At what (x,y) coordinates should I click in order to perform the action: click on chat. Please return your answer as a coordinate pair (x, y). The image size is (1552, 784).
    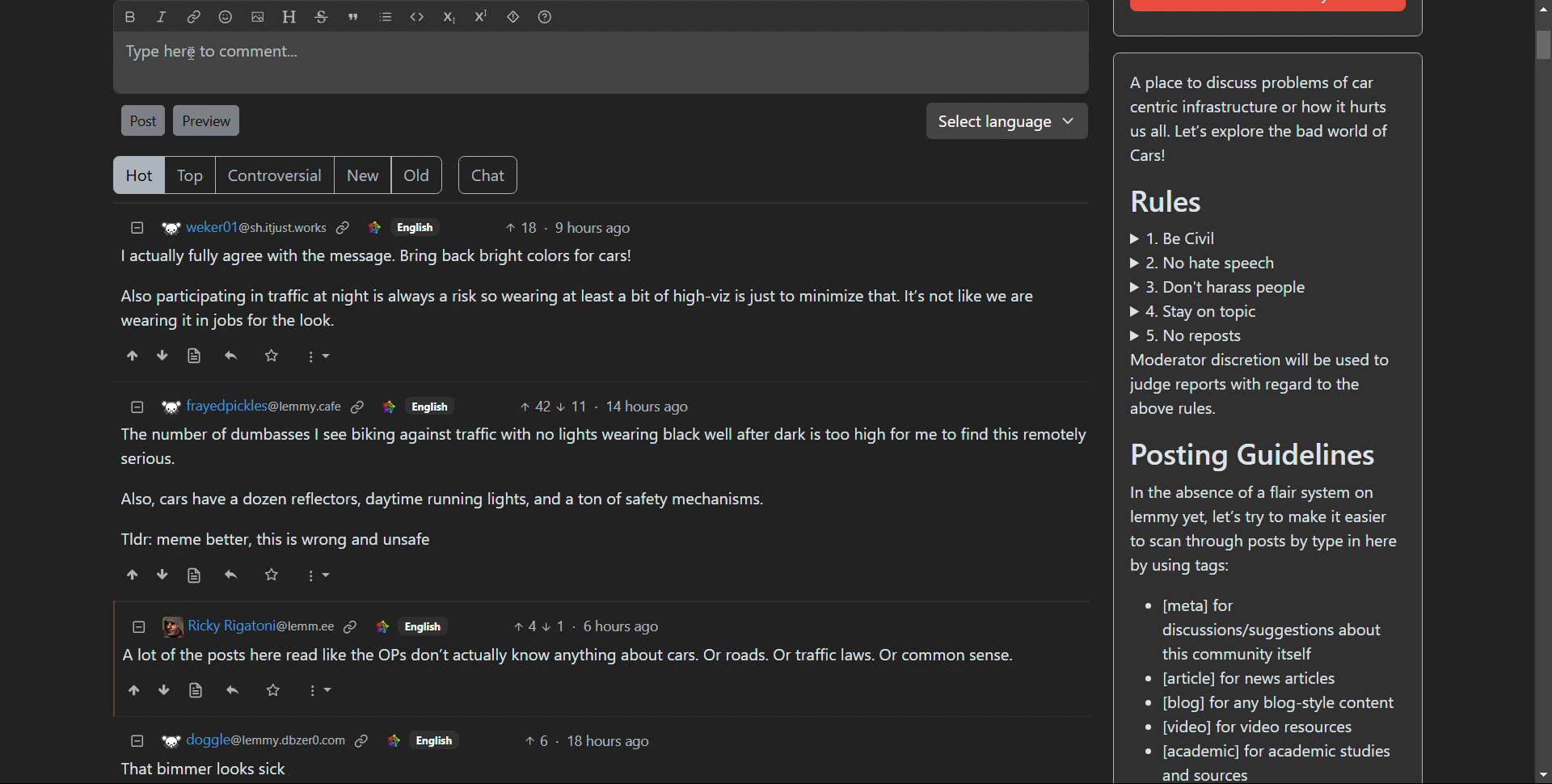
    Looking at the image, I should click on (487, 175).